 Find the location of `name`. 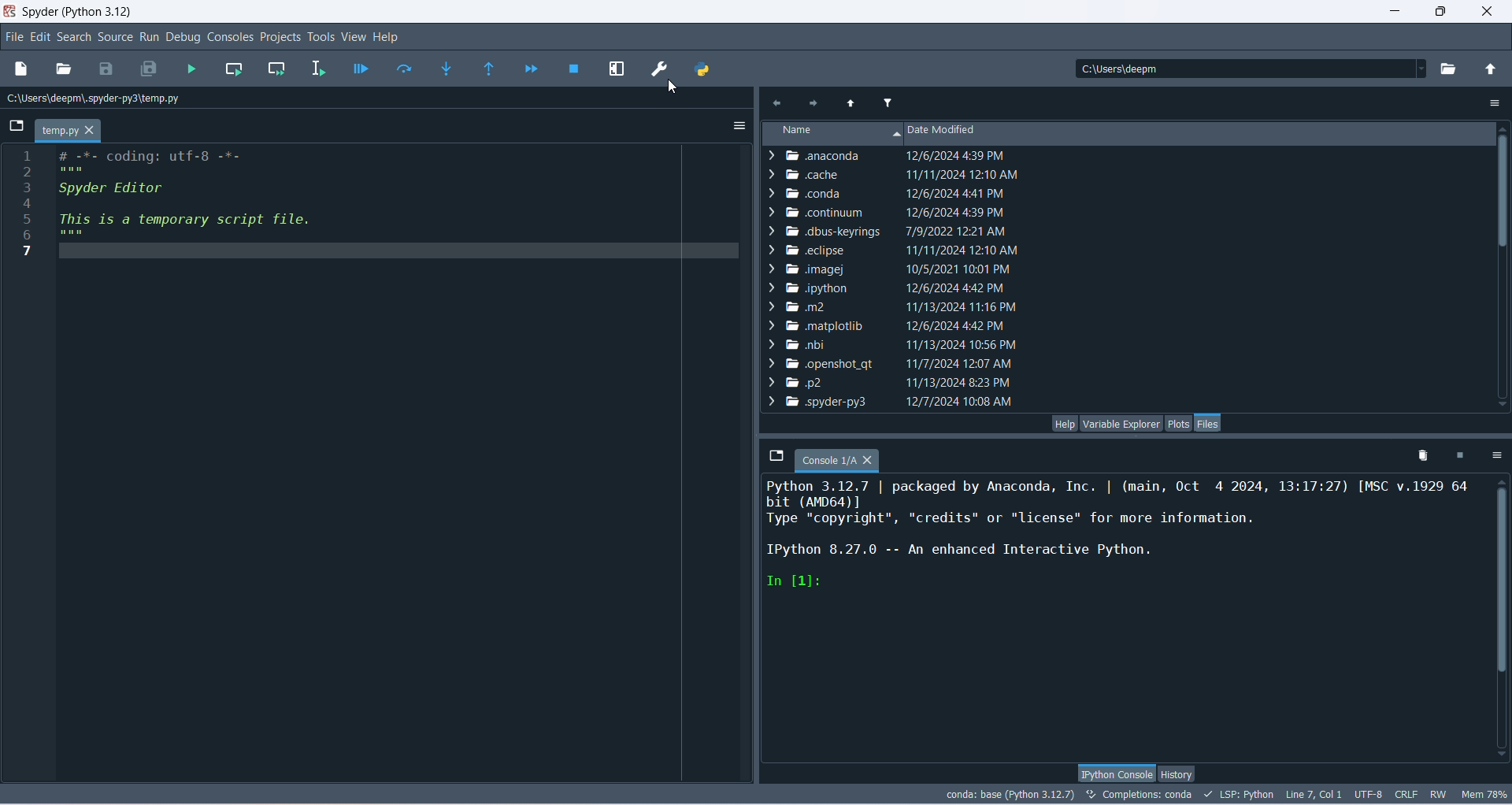

name is located at coordinates (830, 133).